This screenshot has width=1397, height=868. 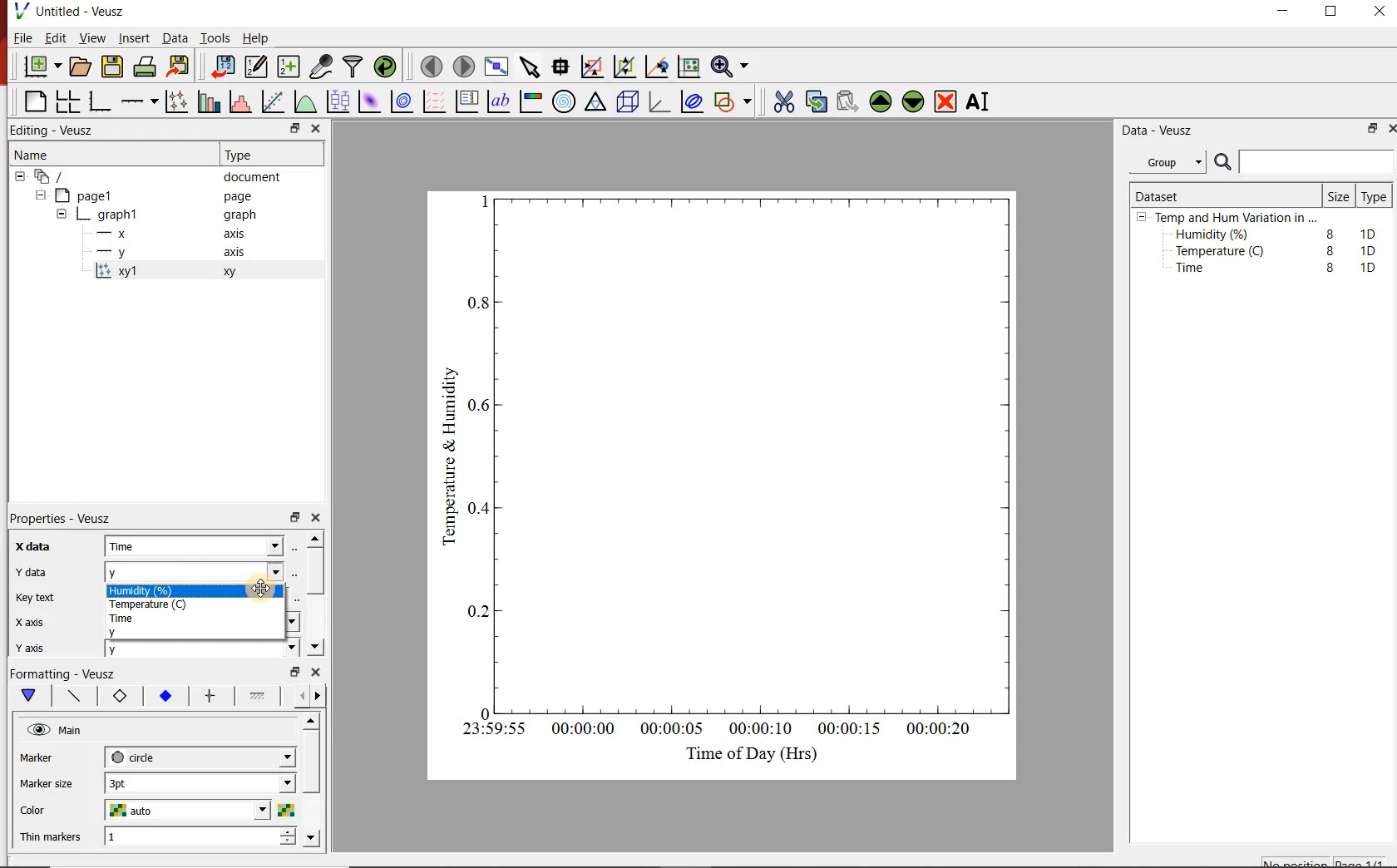 What do you see at coordinates (479, 711) in the screenshot?
I see `0` at bounding box center [479, 711].